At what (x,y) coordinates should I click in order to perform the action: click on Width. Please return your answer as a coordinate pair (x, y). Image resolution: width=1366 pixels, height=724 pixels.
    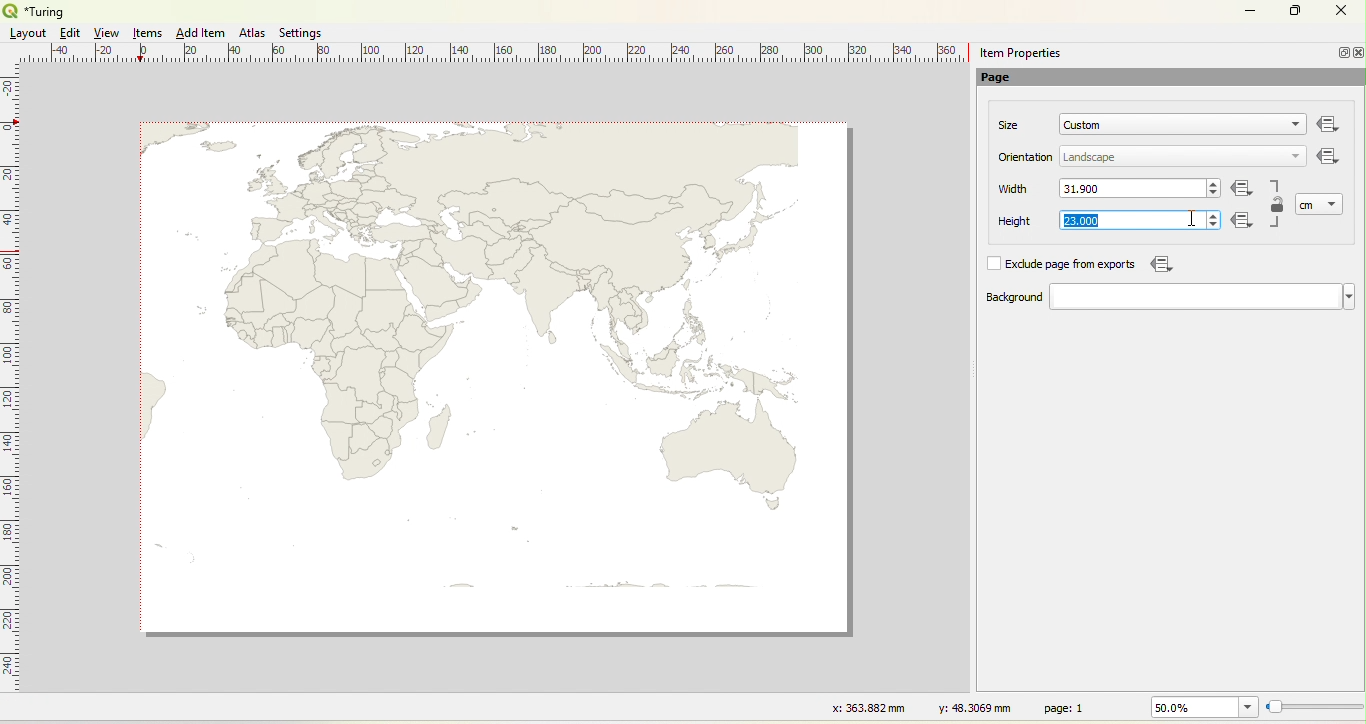
    Looking at the image, I should click on (1014, 189).